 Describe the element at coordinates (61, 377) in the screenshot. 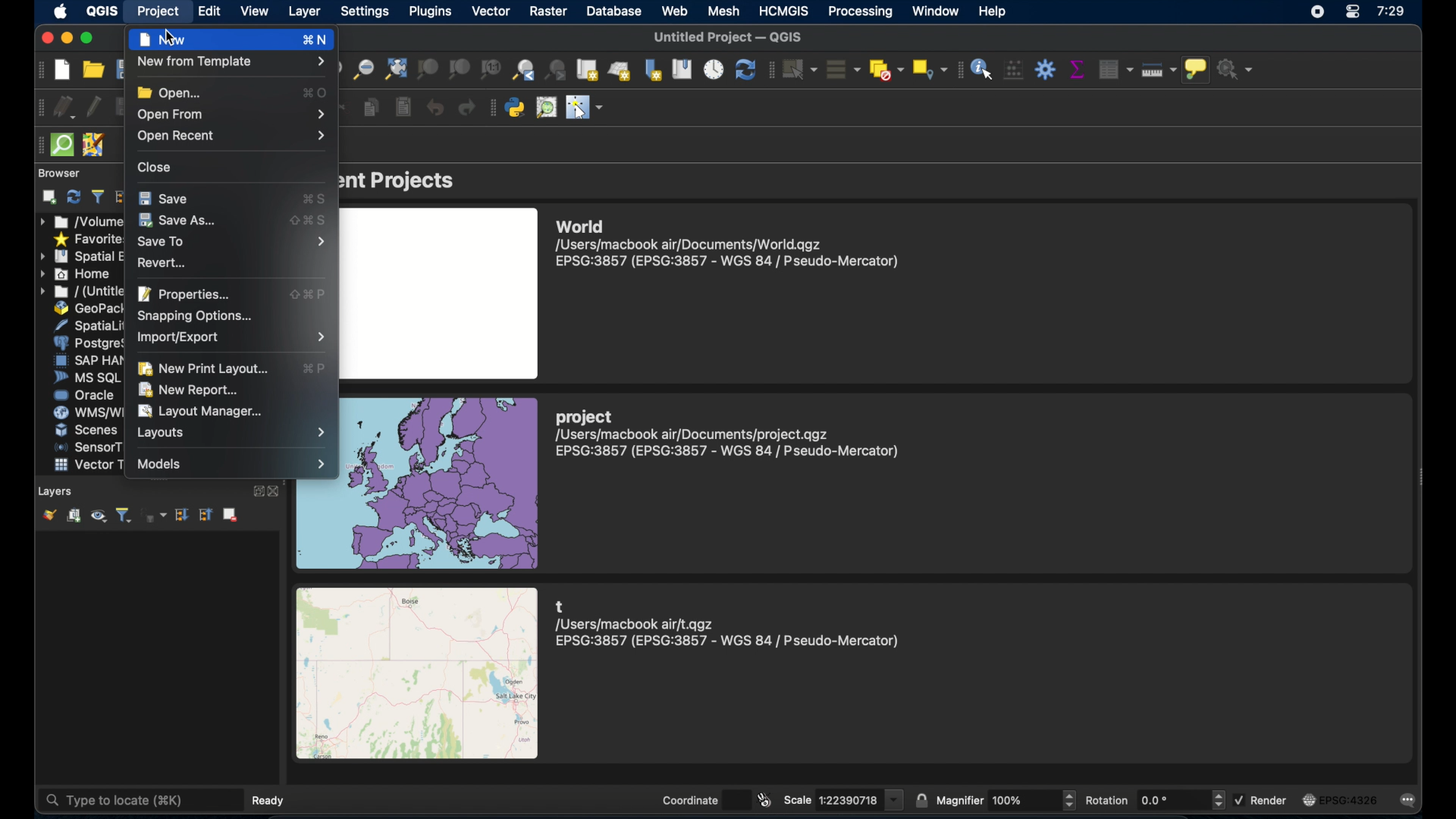

I see `icon` at that location.